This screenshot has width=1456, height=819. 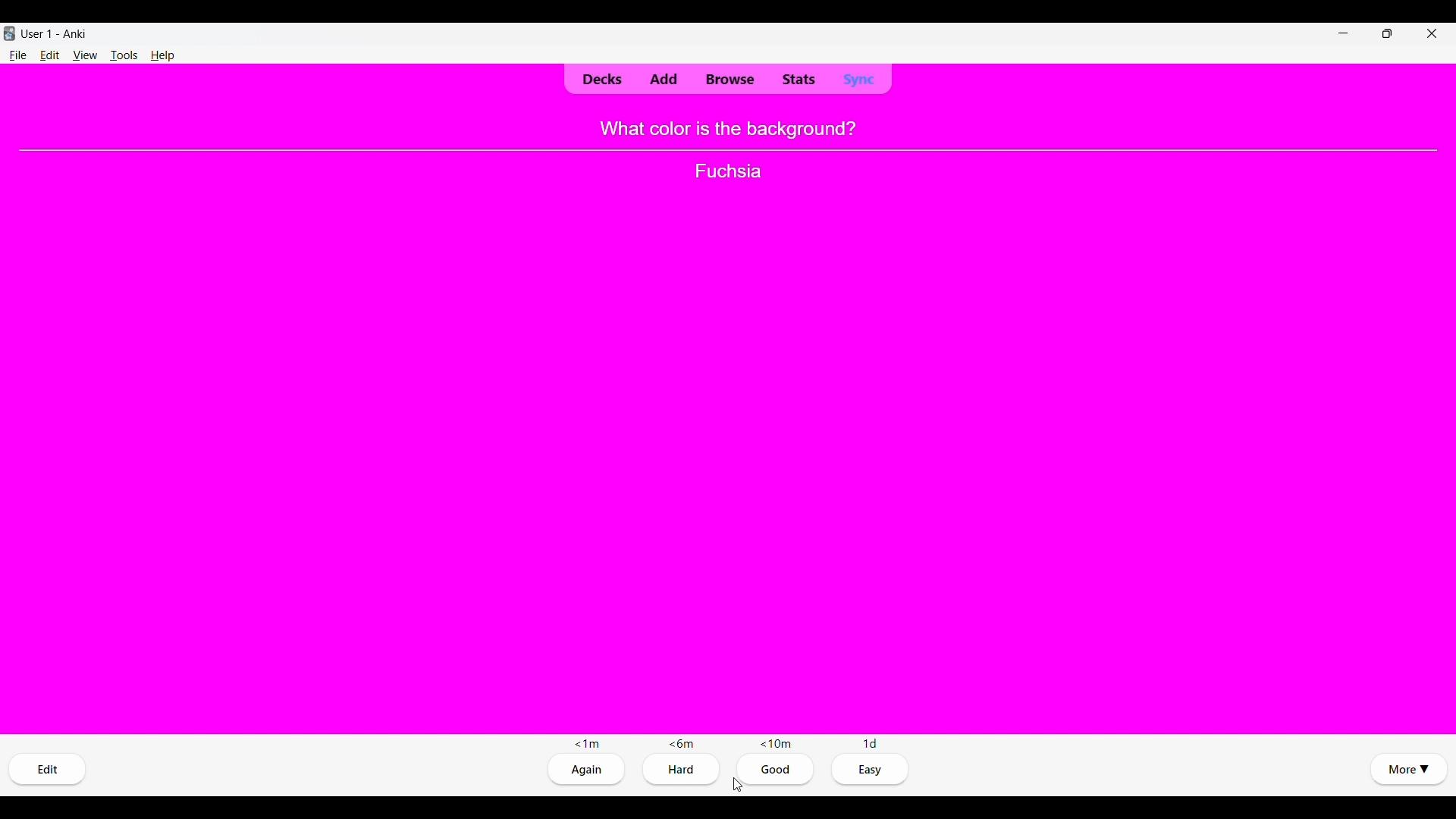 What do you see at coordinates (601, 80) in the screenshot?
I see `Decks` at bounding box center [601, 80].